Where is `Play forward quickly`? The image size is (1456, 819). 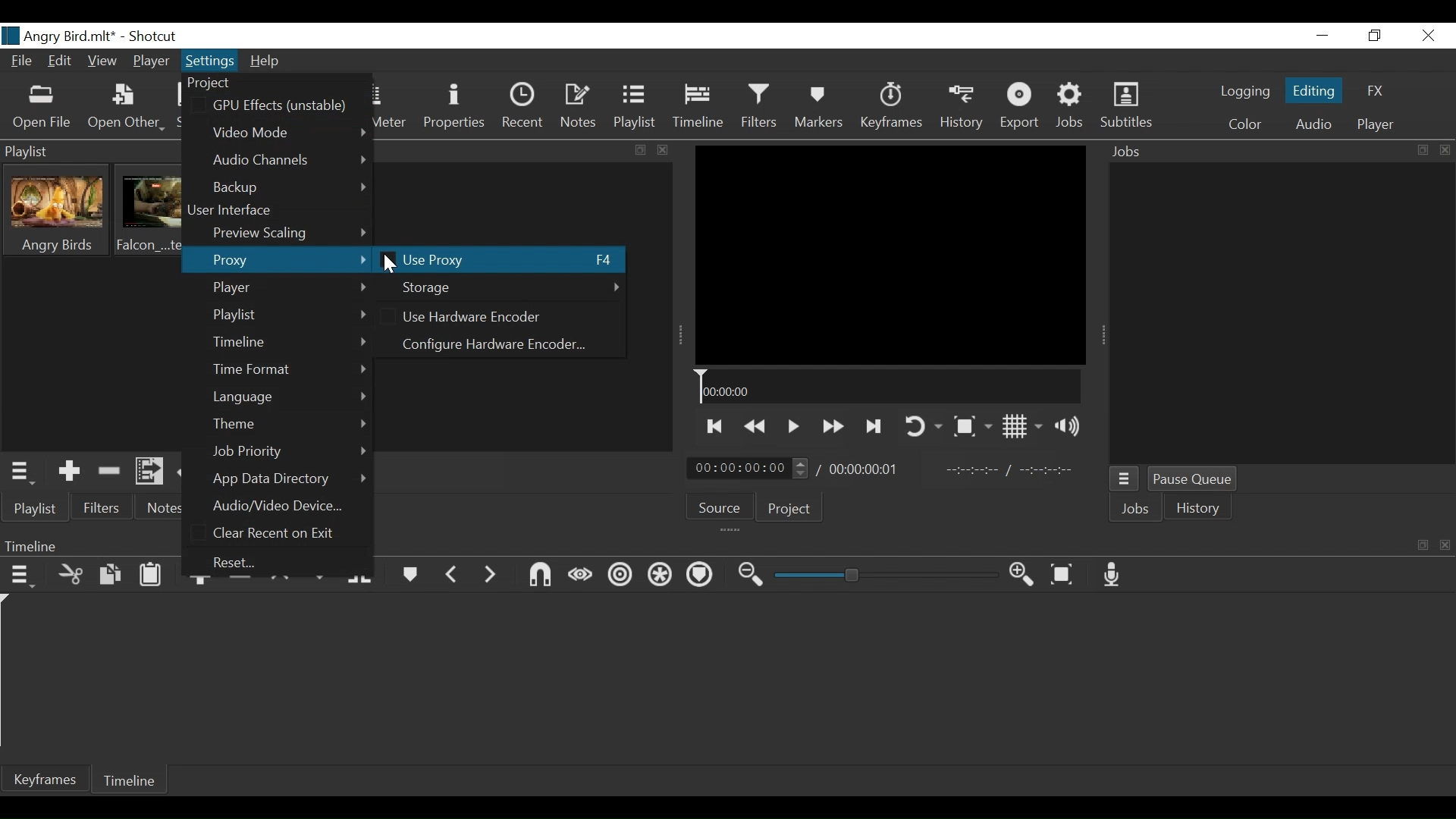 Play forward quickly is located at coordinates (832, 427).